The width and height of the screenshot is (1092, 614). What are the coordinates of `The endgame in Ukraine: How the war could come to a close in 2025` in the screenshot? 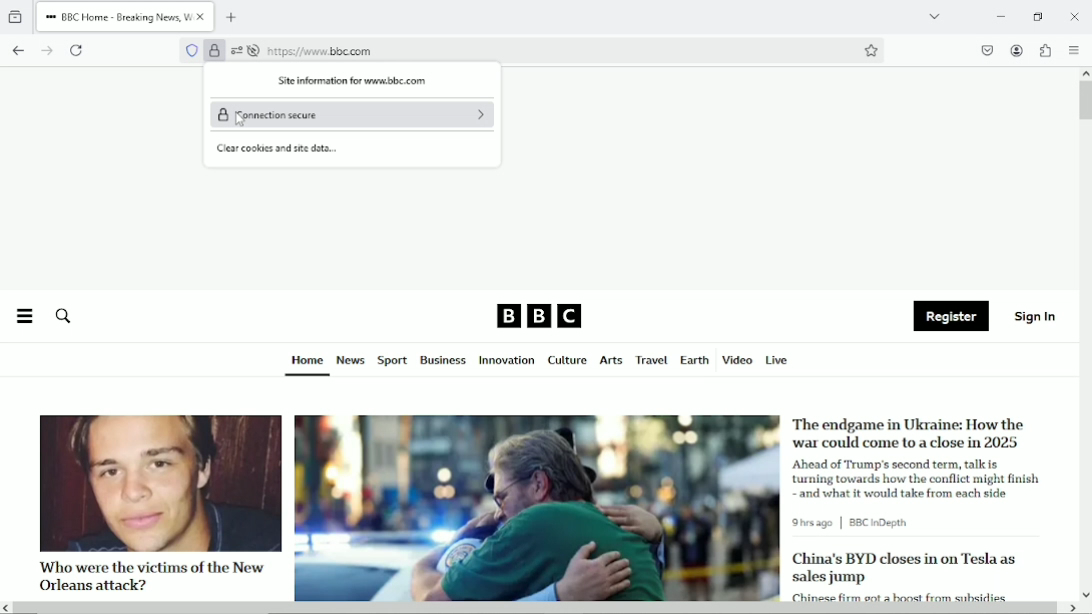 It's located at (911, 433).